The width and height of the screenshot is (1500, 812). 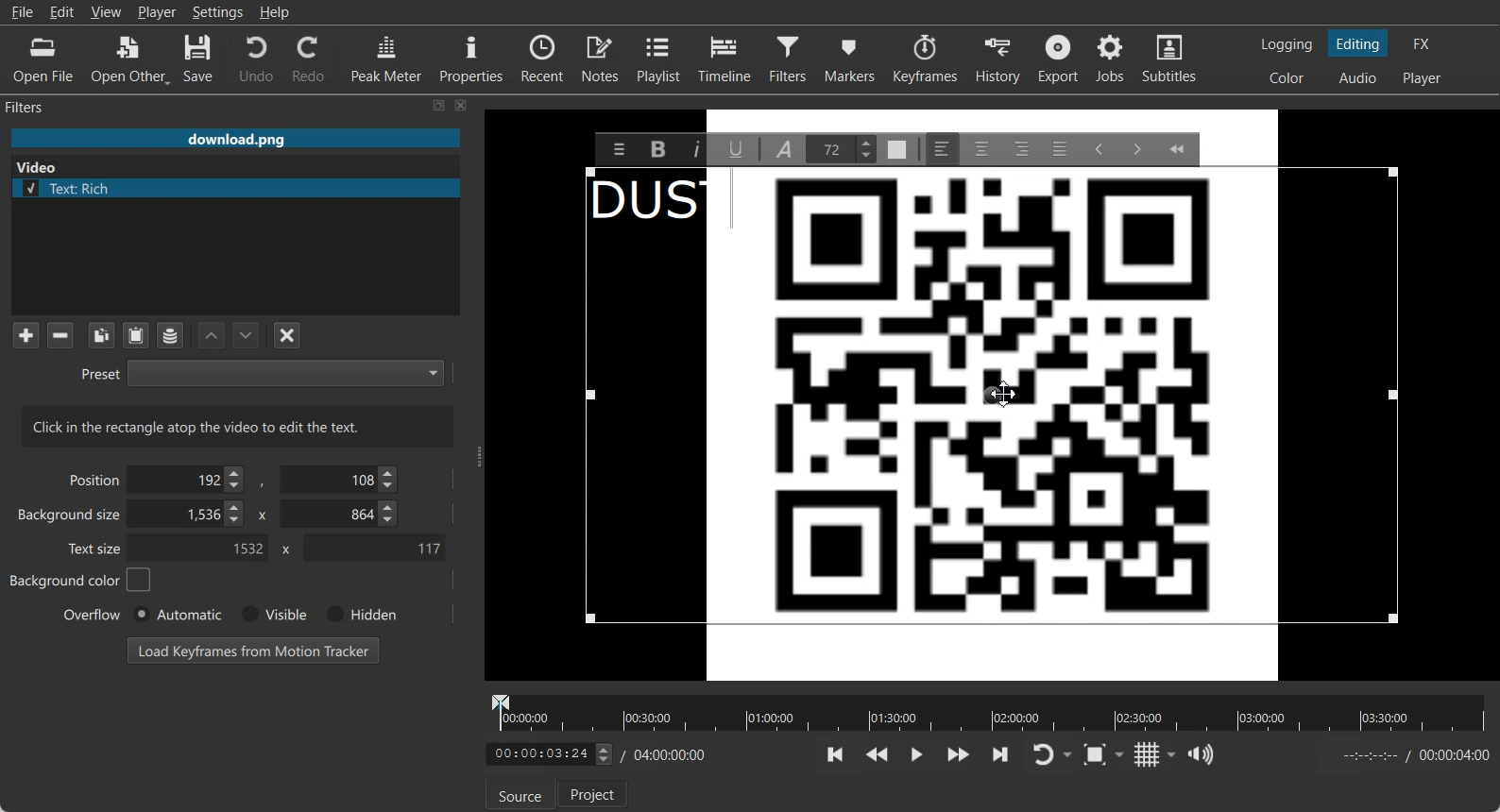 What do you see at coordinates (646, 204) in the screenshot?
I see `Text` at bounding box center [646, 204].